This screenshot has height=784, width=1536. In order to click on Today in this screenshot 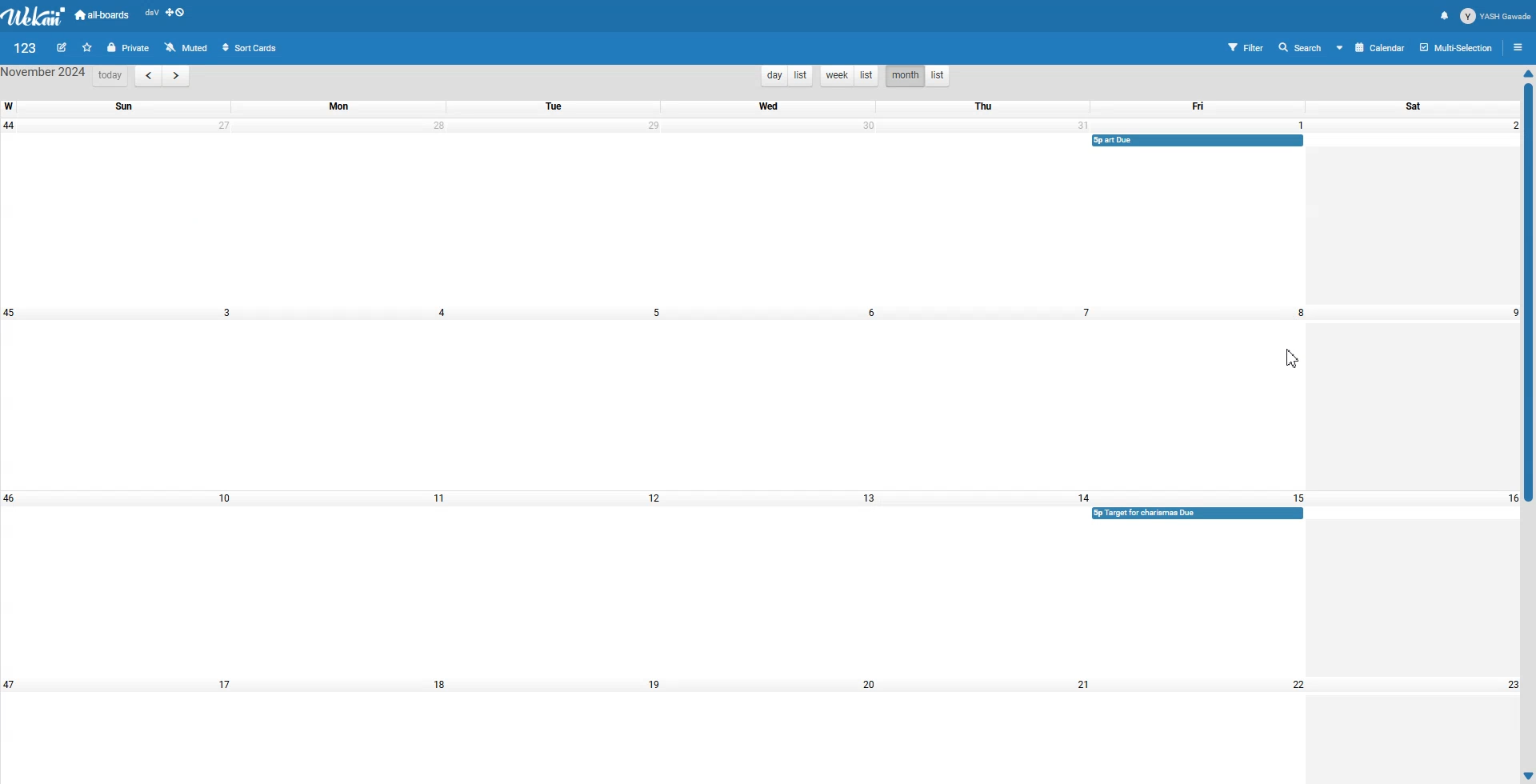, I will do `click(110, 76)`.